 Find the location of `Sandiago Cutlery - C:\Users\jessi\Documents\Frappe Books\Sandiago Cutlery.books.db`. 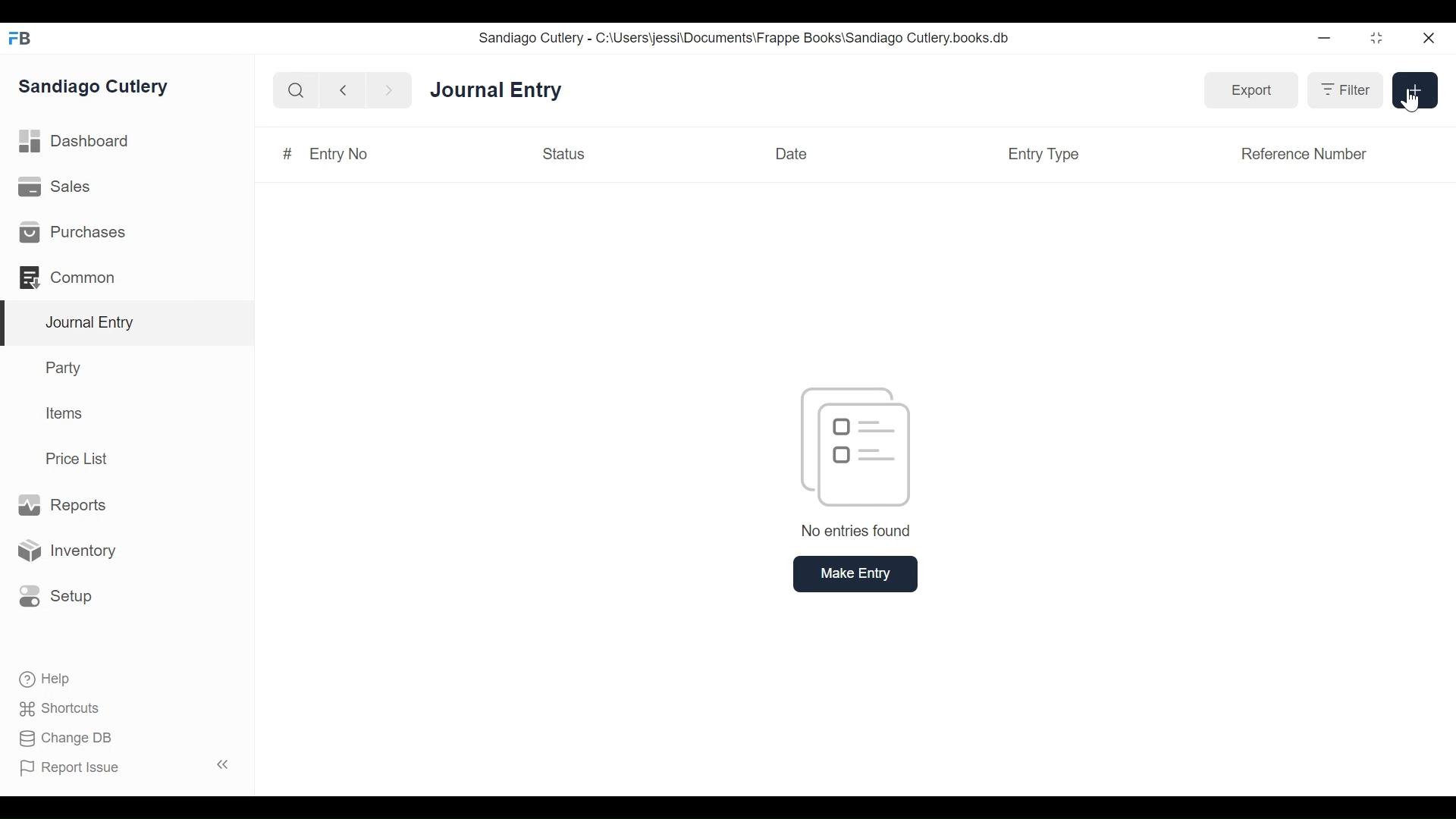

Sandiago Cutlery - C:\Users\jessi\Documents\Frappe Books\Sandiago Cutlery.books.db is located at coordinates (745, 38).